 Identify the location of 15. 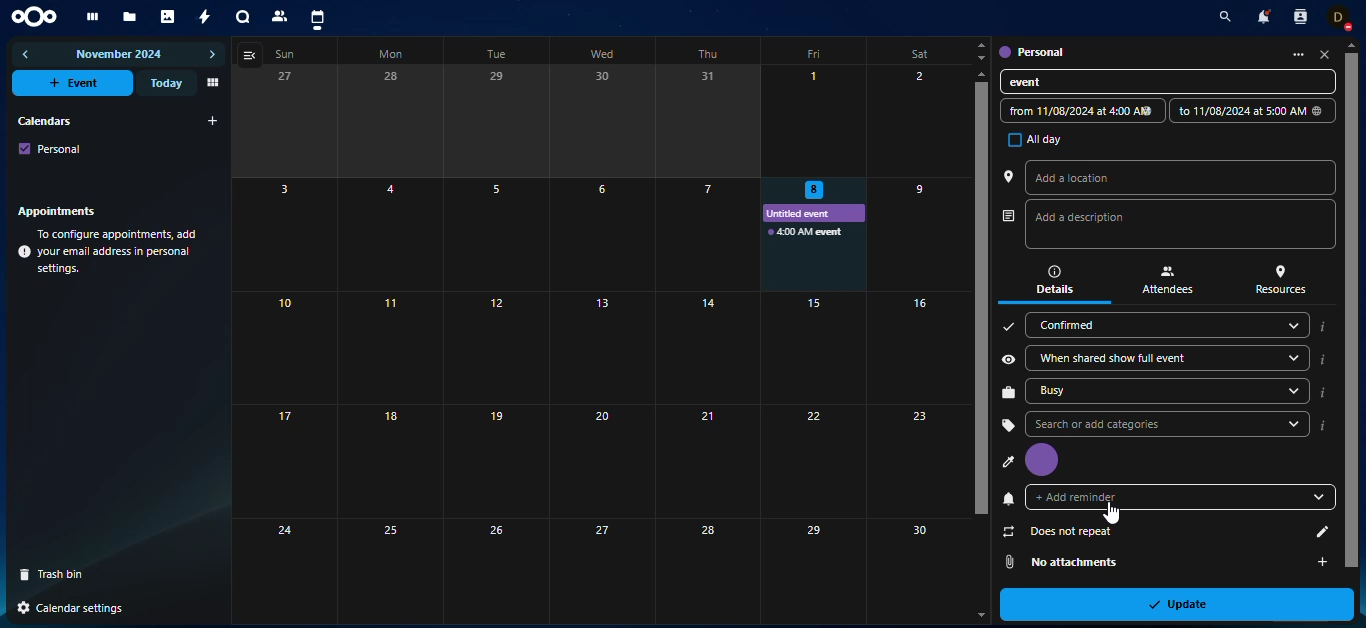
(812, 347).